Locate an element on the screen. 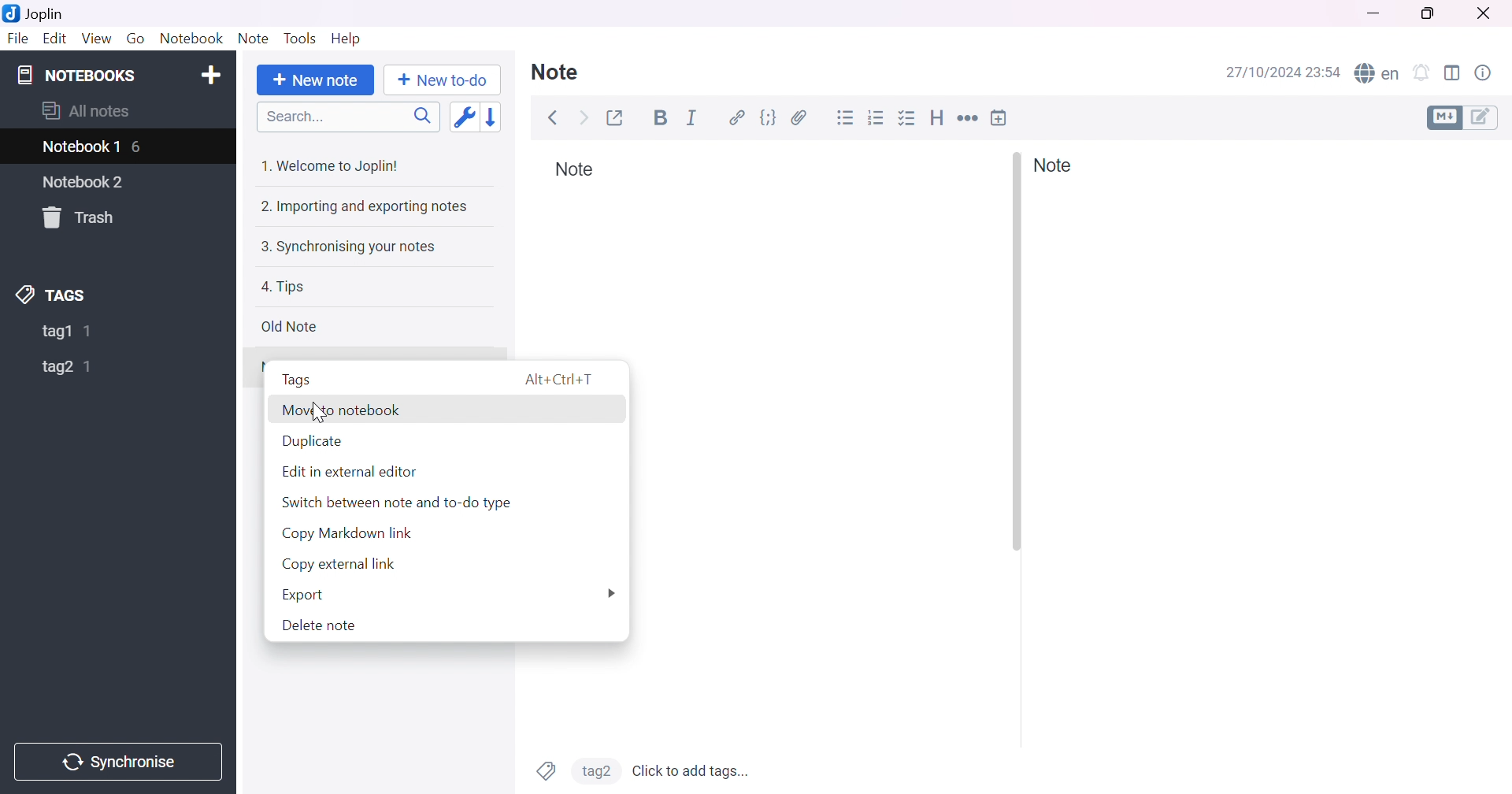 The height and width of the screenshot is (794, 1512). Notebook2 is located at coordinates (83, 181).